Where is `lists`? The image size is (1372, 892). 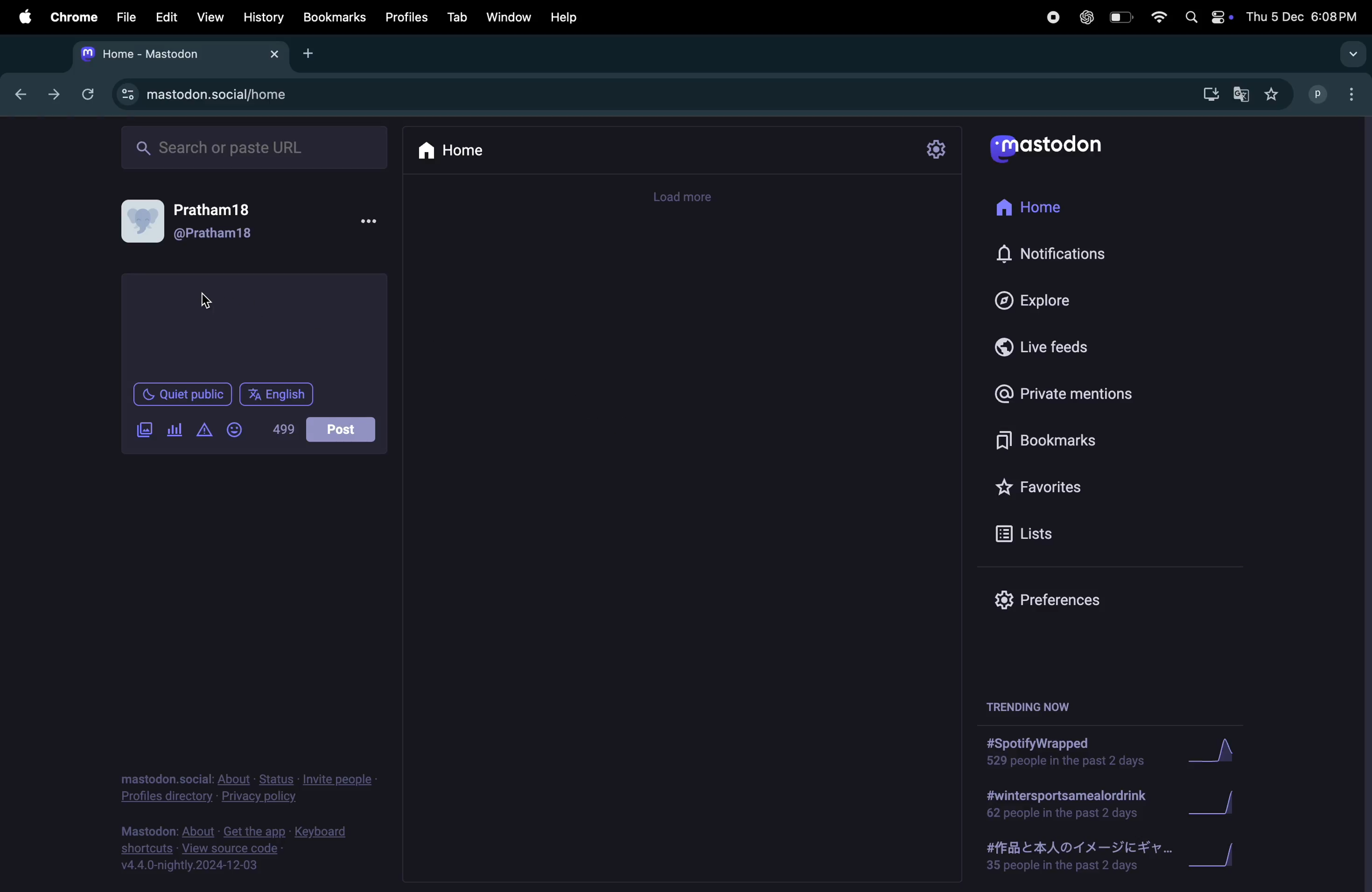
lists is located at coordinates (1044, 532).